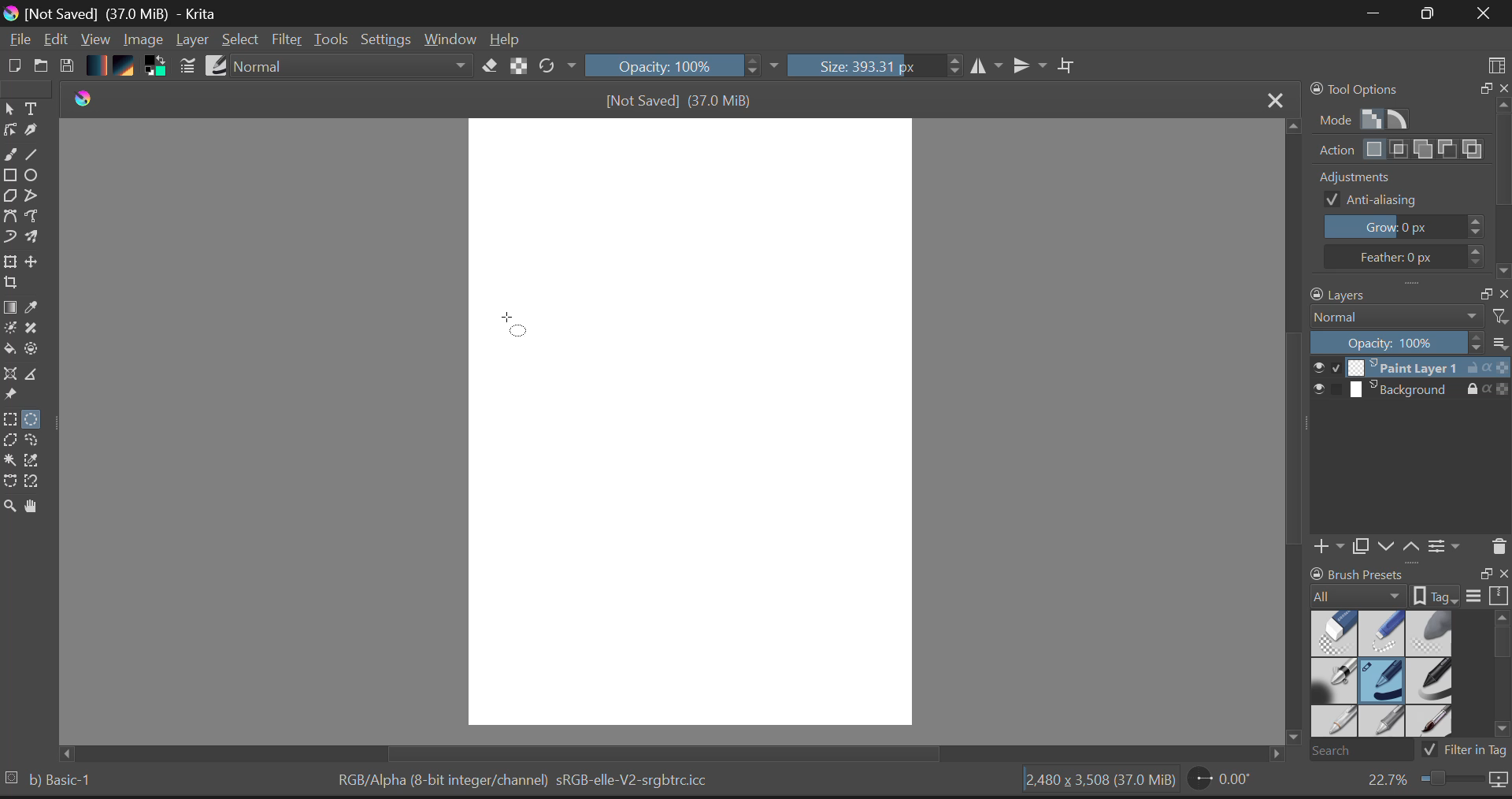 Image resolution: width=1512 pixels, height=799 pixels. I want to click on View, so click(96, 41).